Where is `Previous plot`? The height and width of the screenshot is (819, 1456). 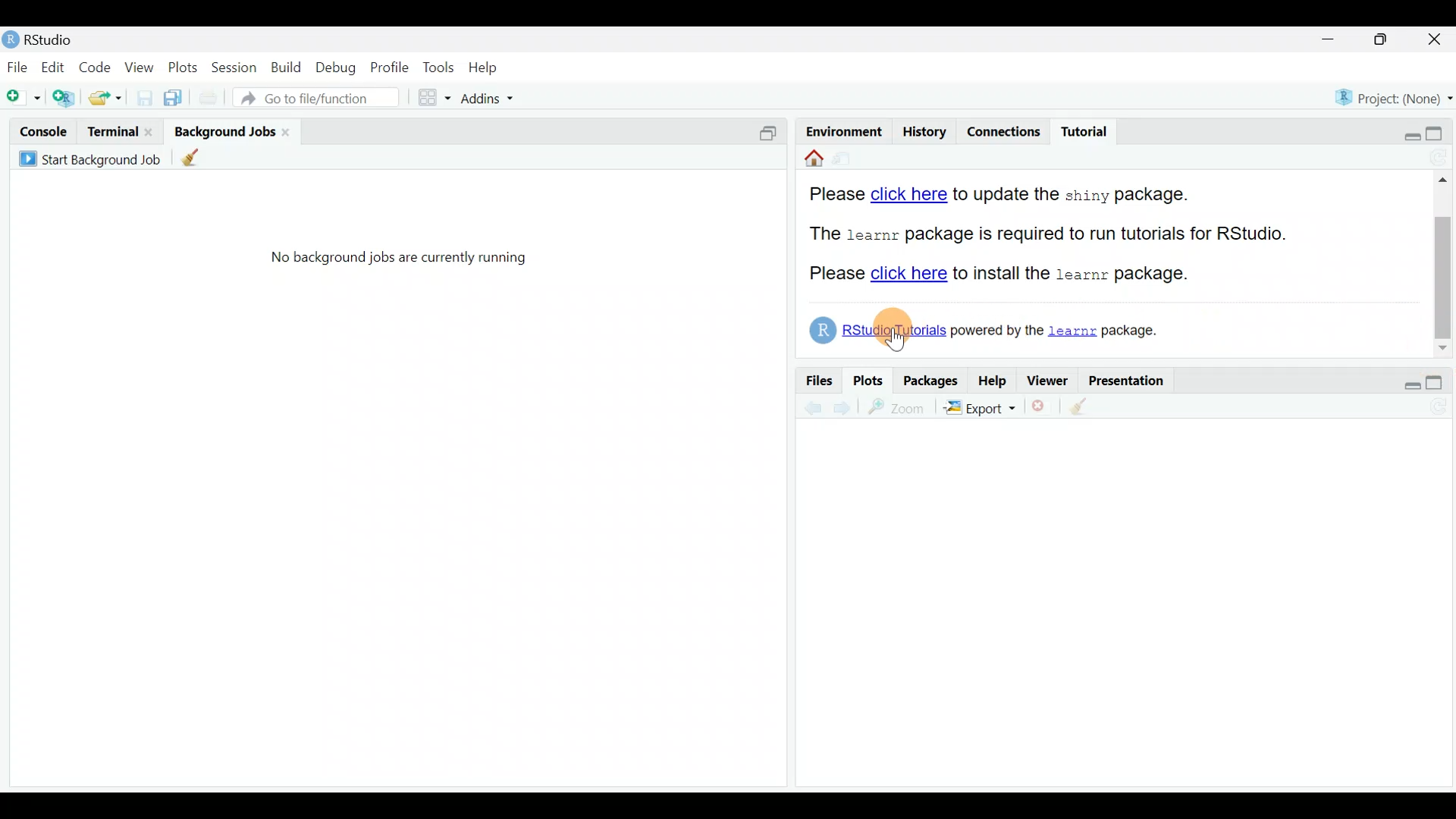
Previous plot is located at coordinates (806, 407).